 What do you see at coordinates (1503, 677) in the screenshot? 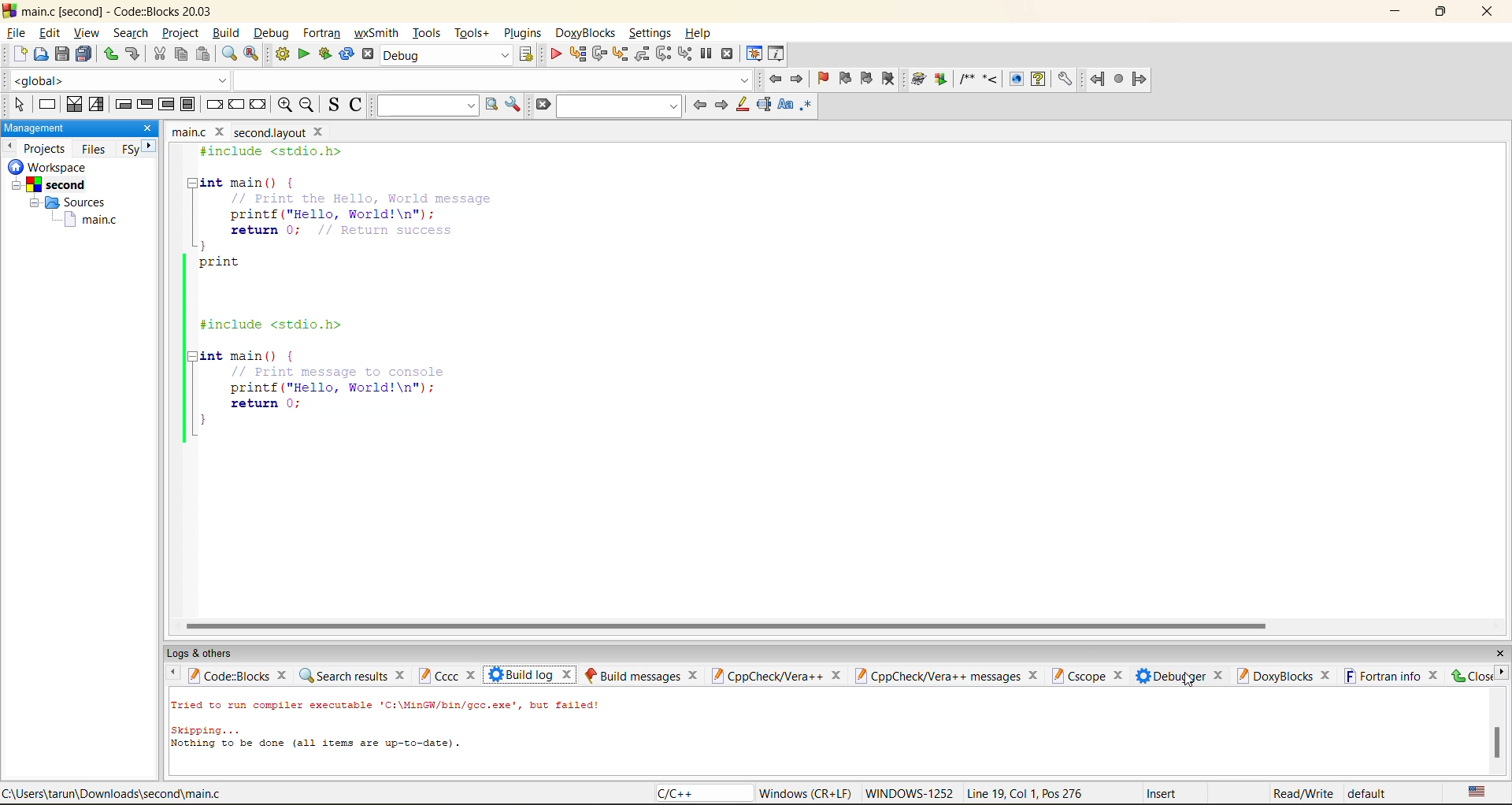
I see `right menu` at bounding box center [1503, 677].